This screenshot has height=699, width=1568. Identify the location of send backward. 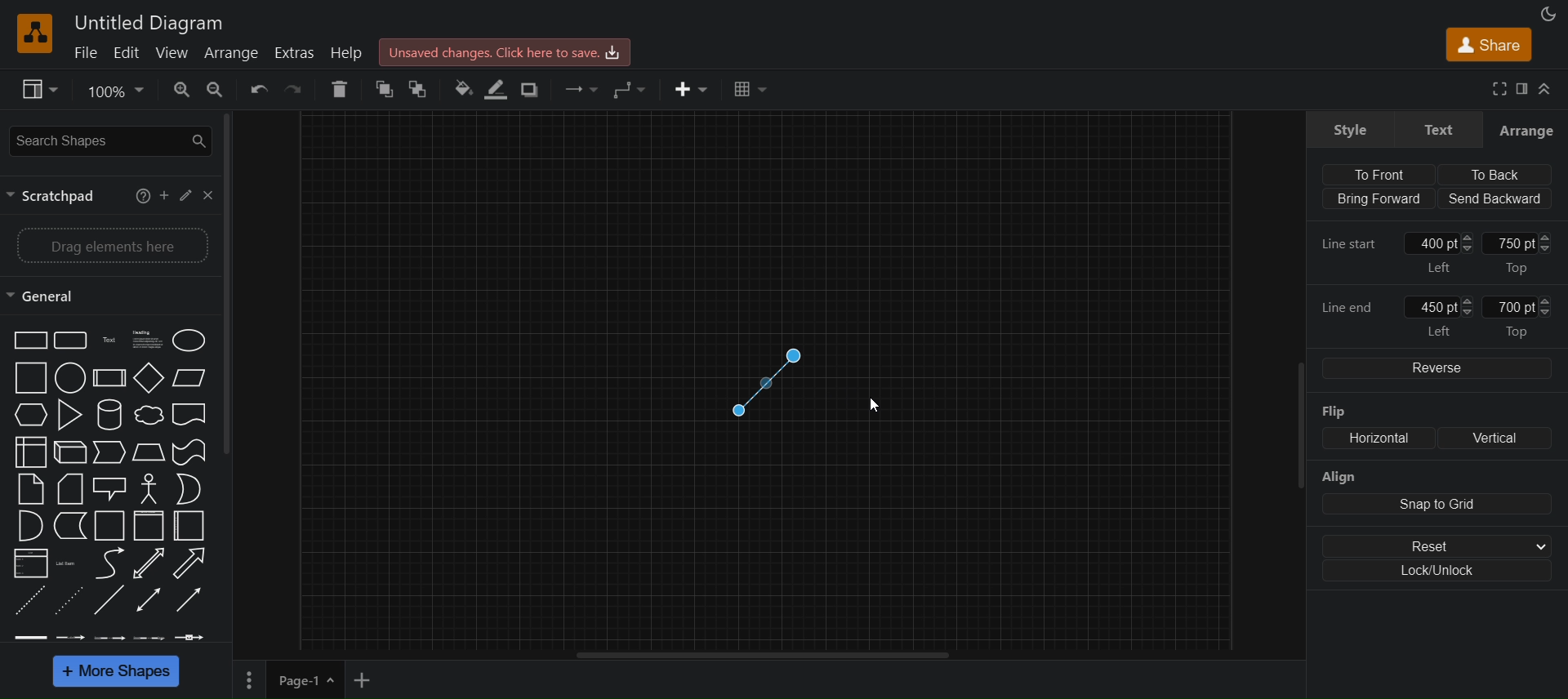
(1495, 198).